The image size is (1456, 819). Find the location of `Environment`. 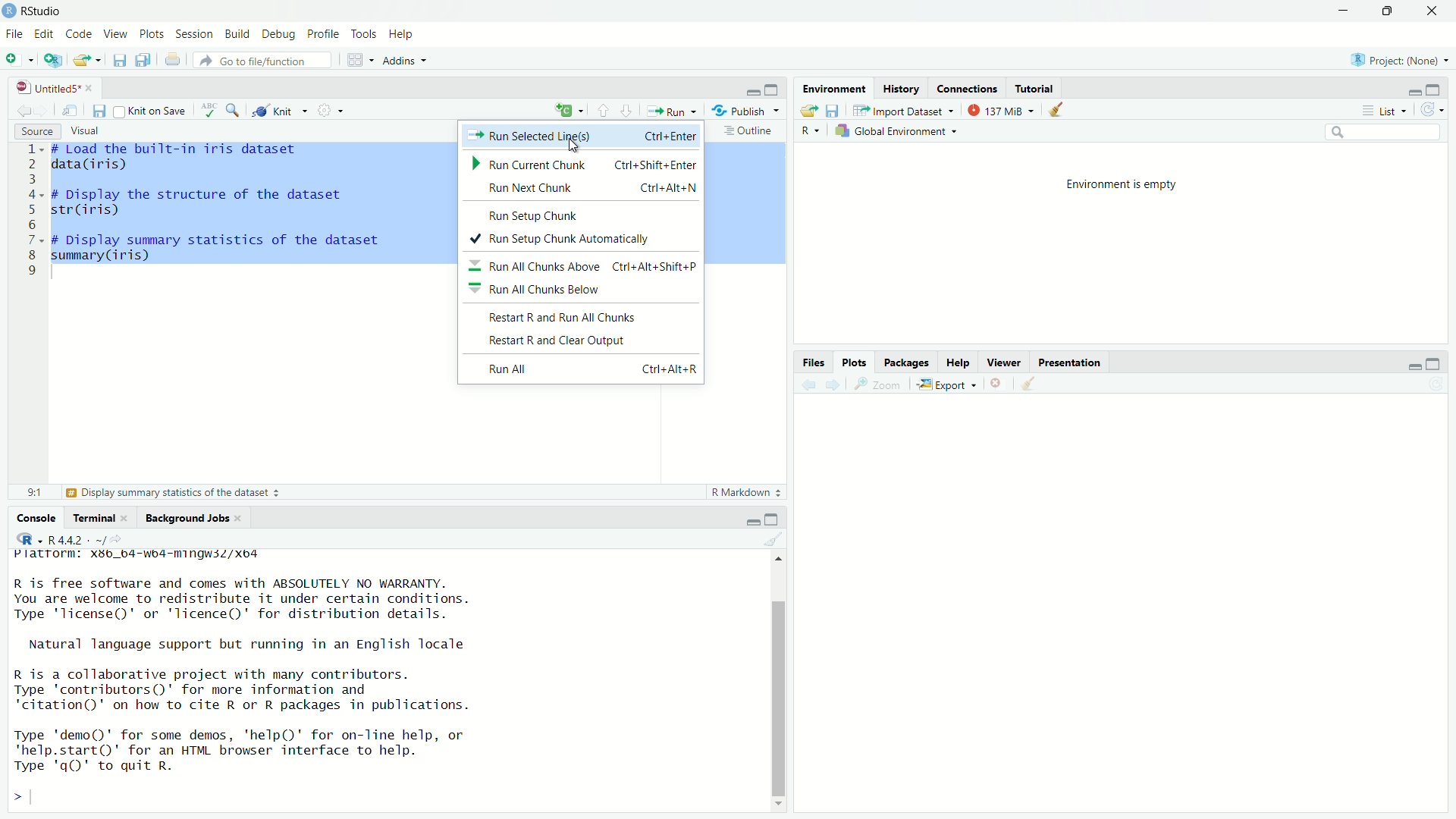

Environment is located at coordinates (834, 89).